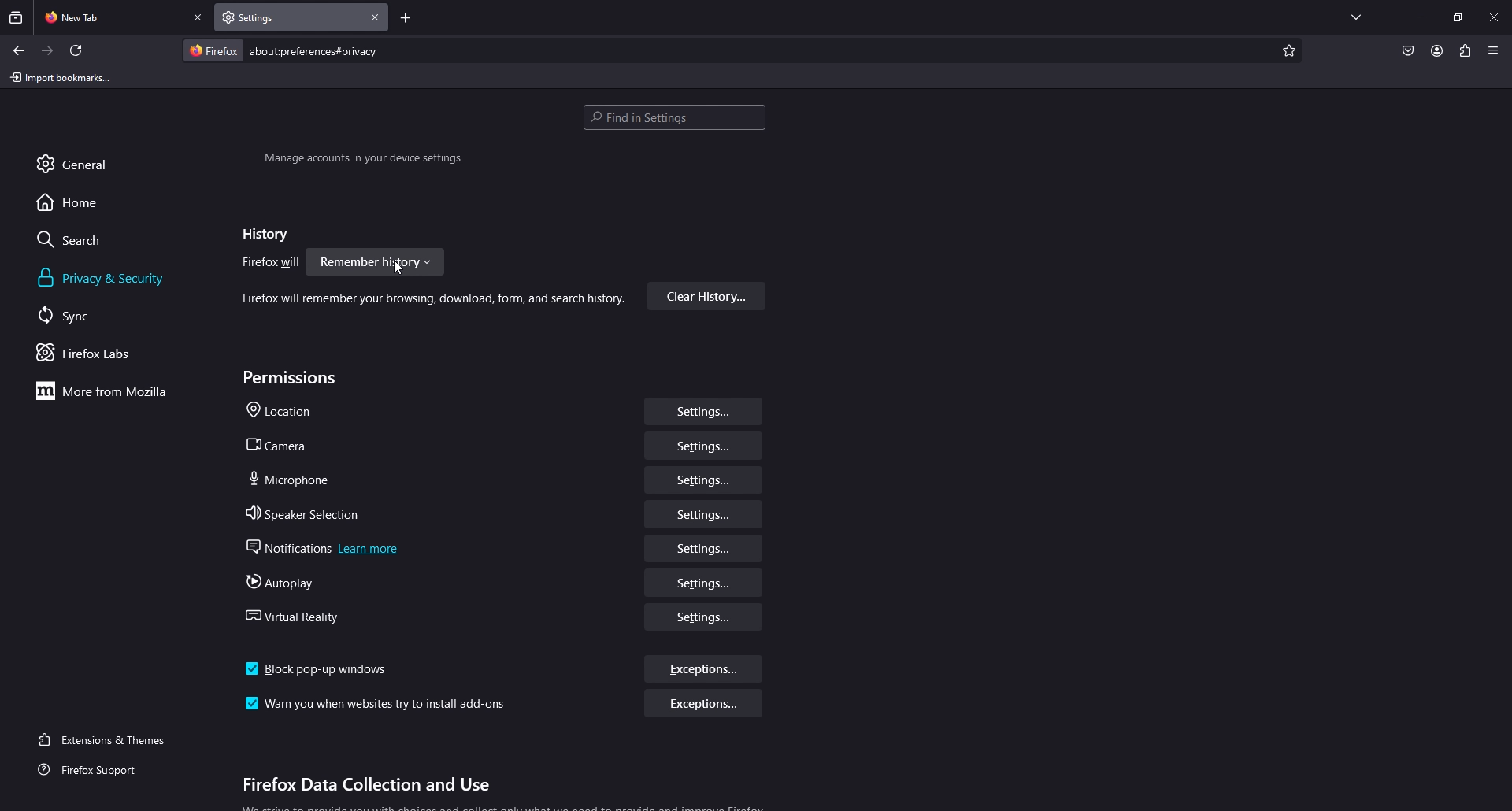 The image size is (1512, 811). Describe the element at coordinates (286, 583) in the screenshot. I see `autoplay` at that location.